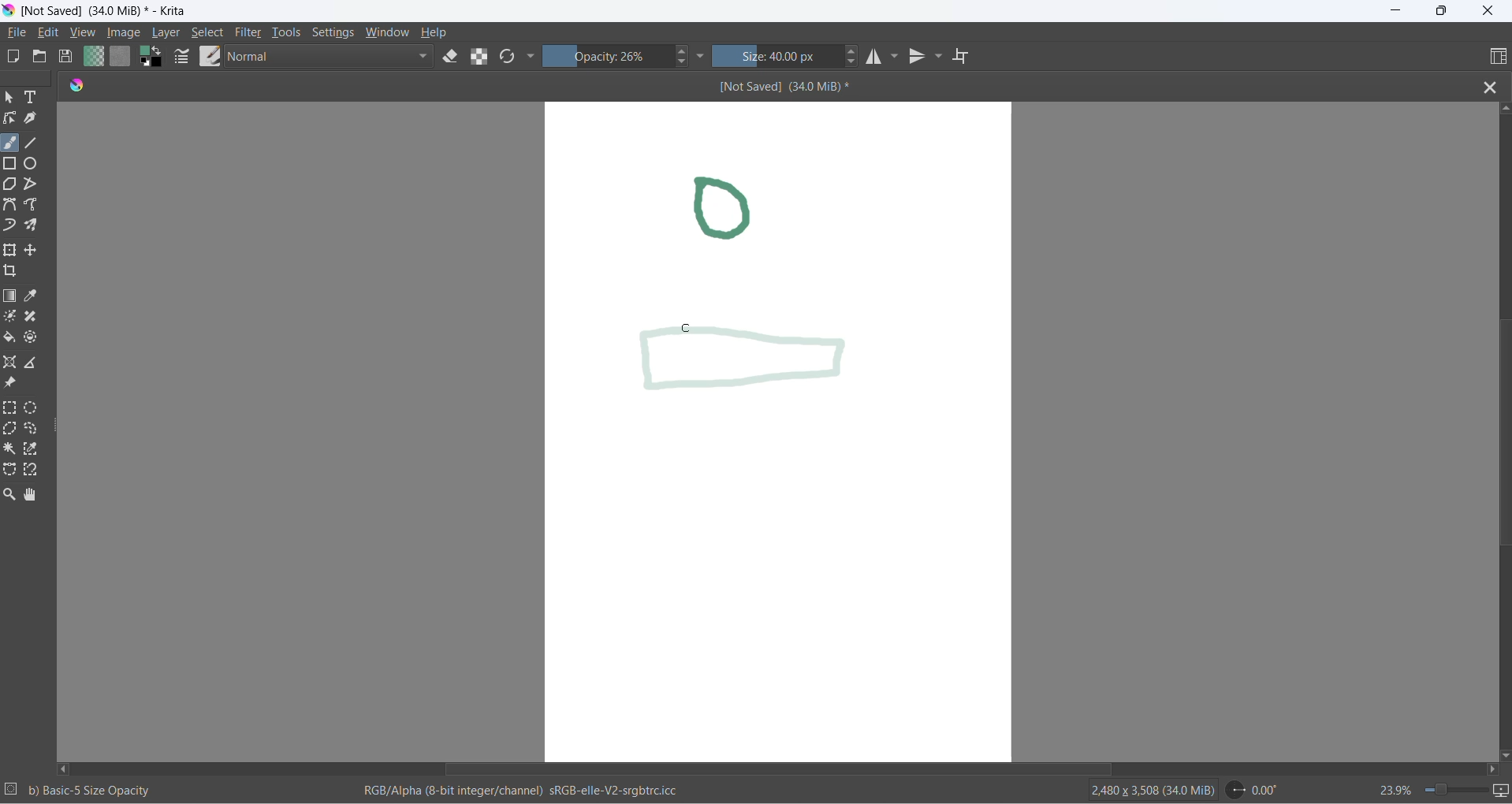  Describe the element at coordinates (39, 226) in the screenshot. I see `multibrush tool` at that location.